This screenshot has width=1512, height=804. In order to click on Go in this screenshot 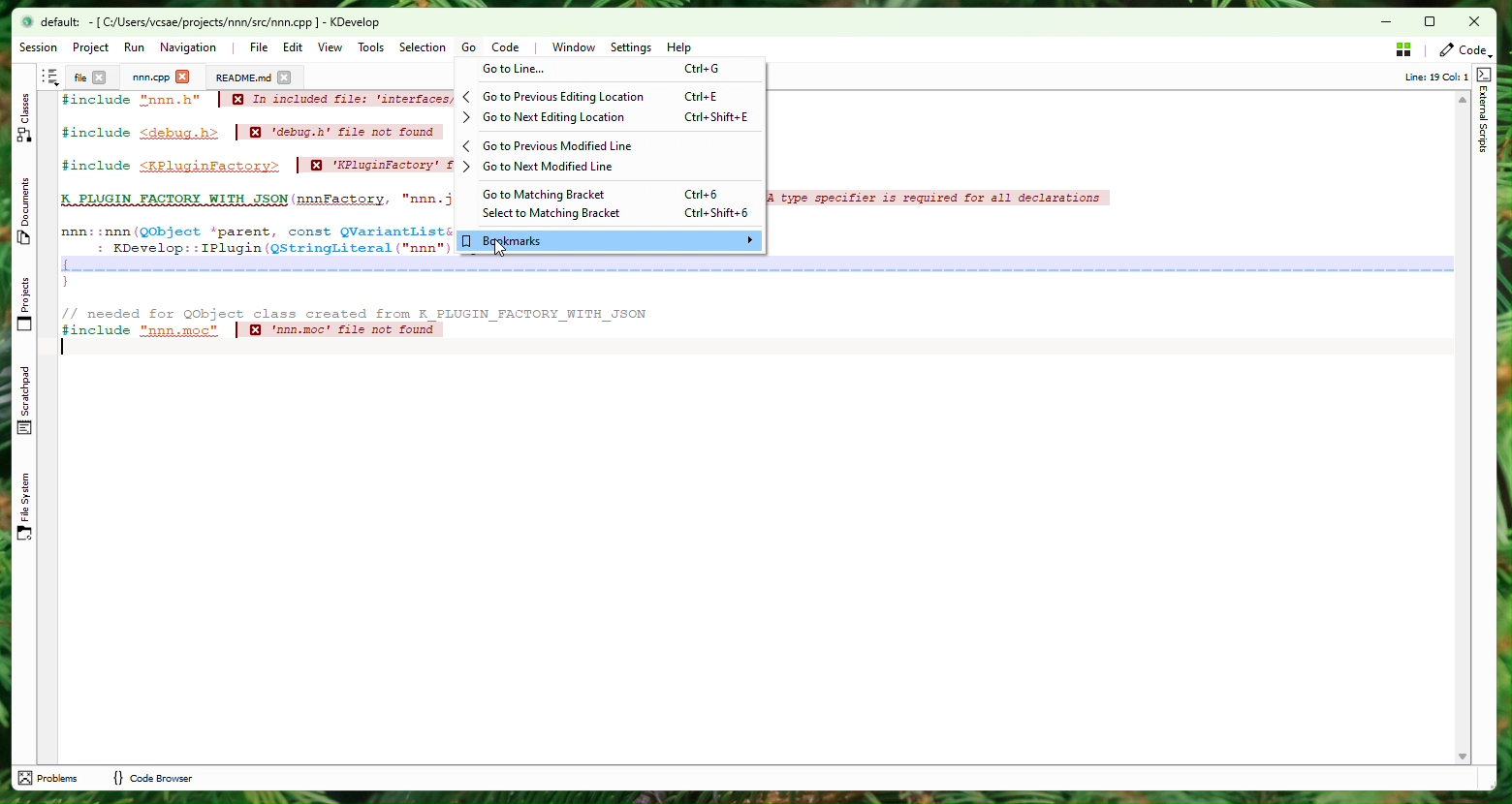, I will do `click(469, 47)`.